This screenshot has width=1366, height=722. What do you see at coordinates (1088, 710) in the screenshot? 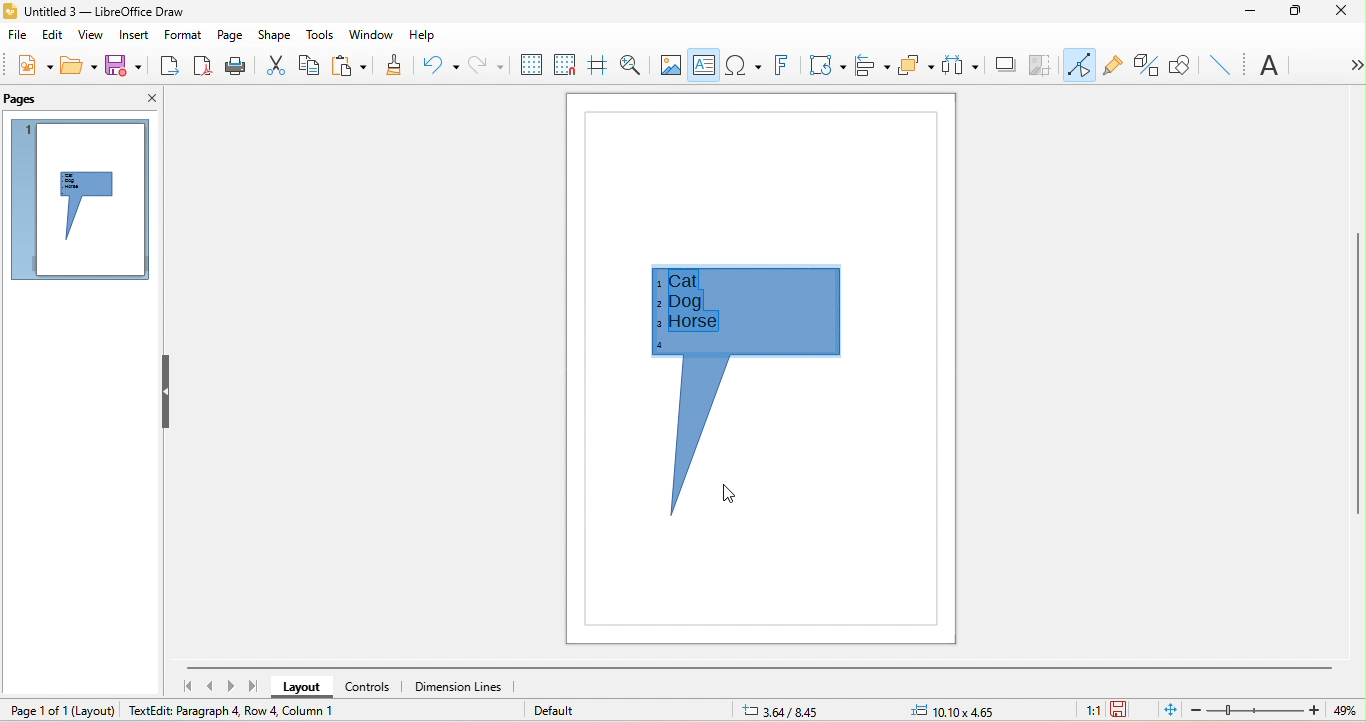
I see `1:1` at bounding box center [1088, 710].